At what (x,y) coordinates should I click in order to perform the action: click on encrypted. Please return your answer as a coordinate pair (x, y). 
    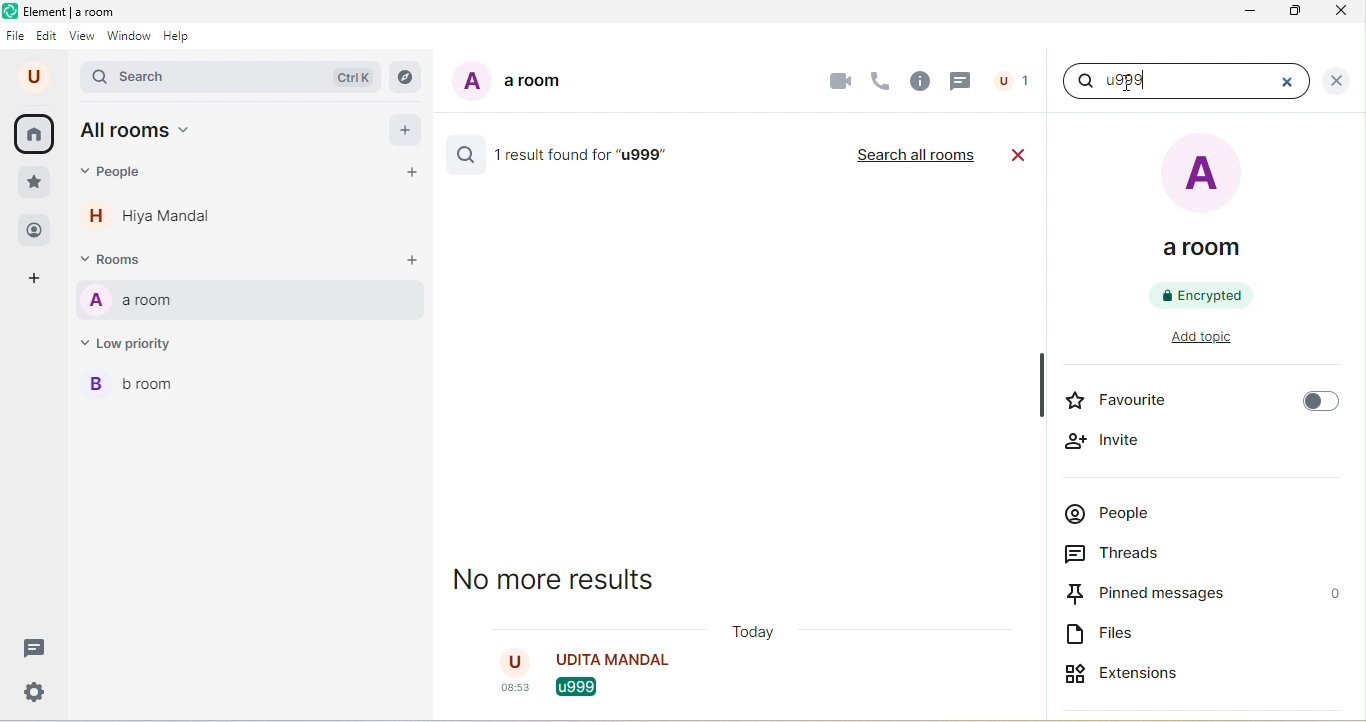
    Looking at the image, I should click on (1204, 295).